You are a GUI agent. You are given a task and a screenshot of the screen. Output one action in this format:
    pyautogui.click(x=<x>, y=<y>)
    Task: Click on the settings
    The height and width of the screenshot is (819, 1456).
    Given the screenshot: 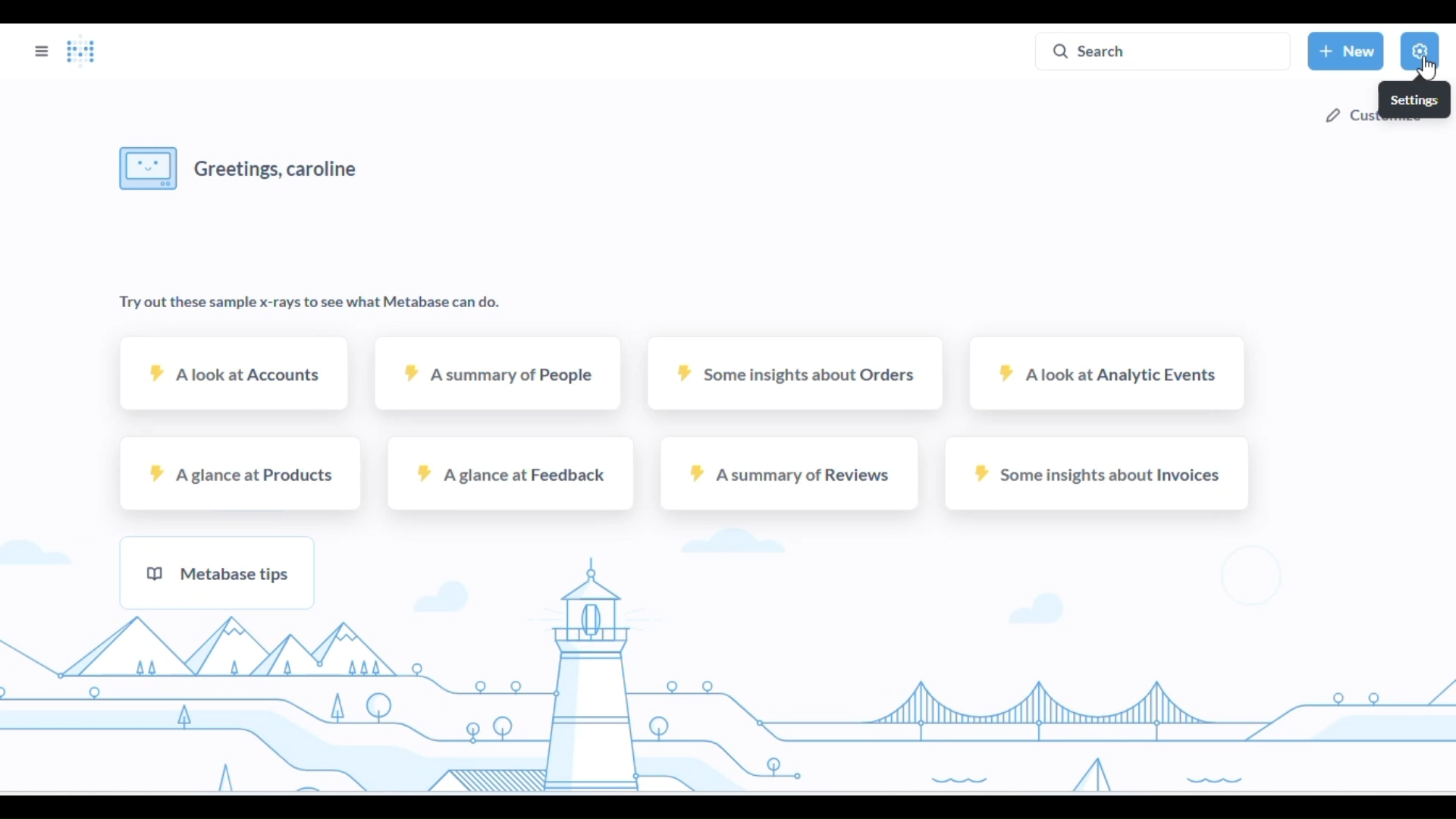 What is the action you would take?
    pyautogui.click(x=1420, y=51)
    